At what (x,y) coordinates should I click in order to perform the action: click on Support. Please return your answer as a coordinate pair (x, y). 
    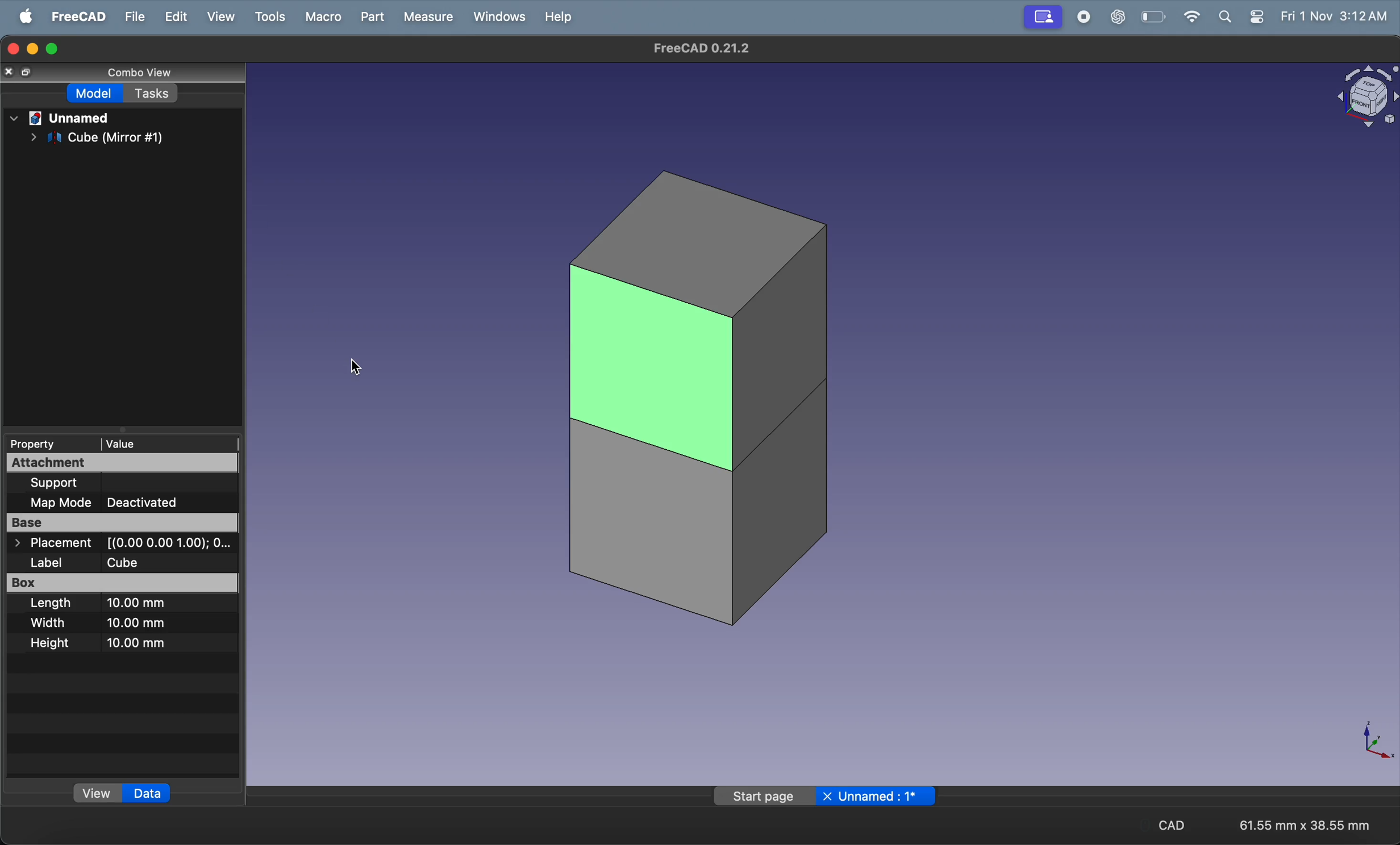
    Looking at the image, I should click on (81, 483).